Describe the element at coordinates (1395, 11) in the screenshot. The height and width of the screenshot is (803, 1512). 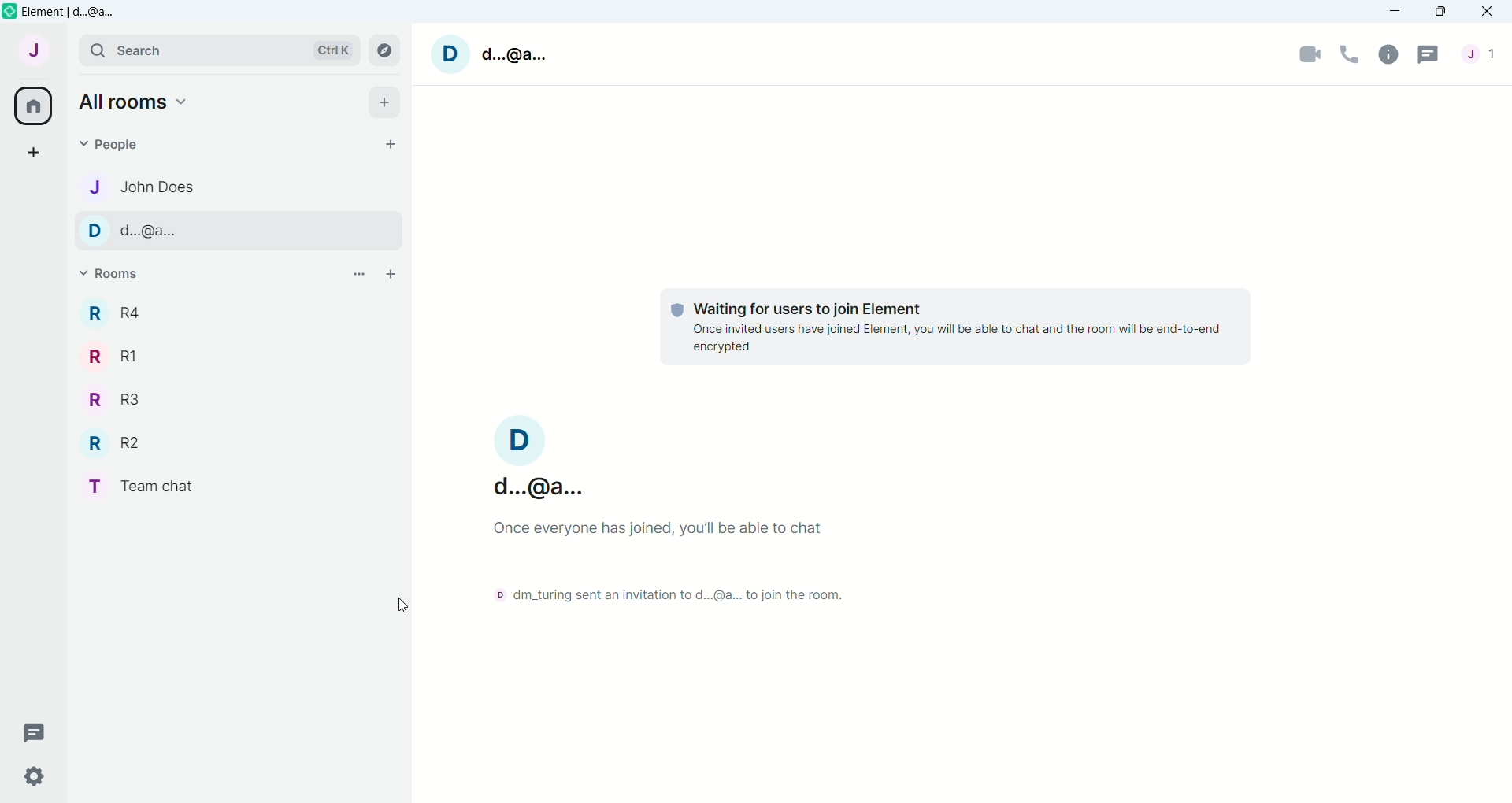
I see `Minimize` at that location.